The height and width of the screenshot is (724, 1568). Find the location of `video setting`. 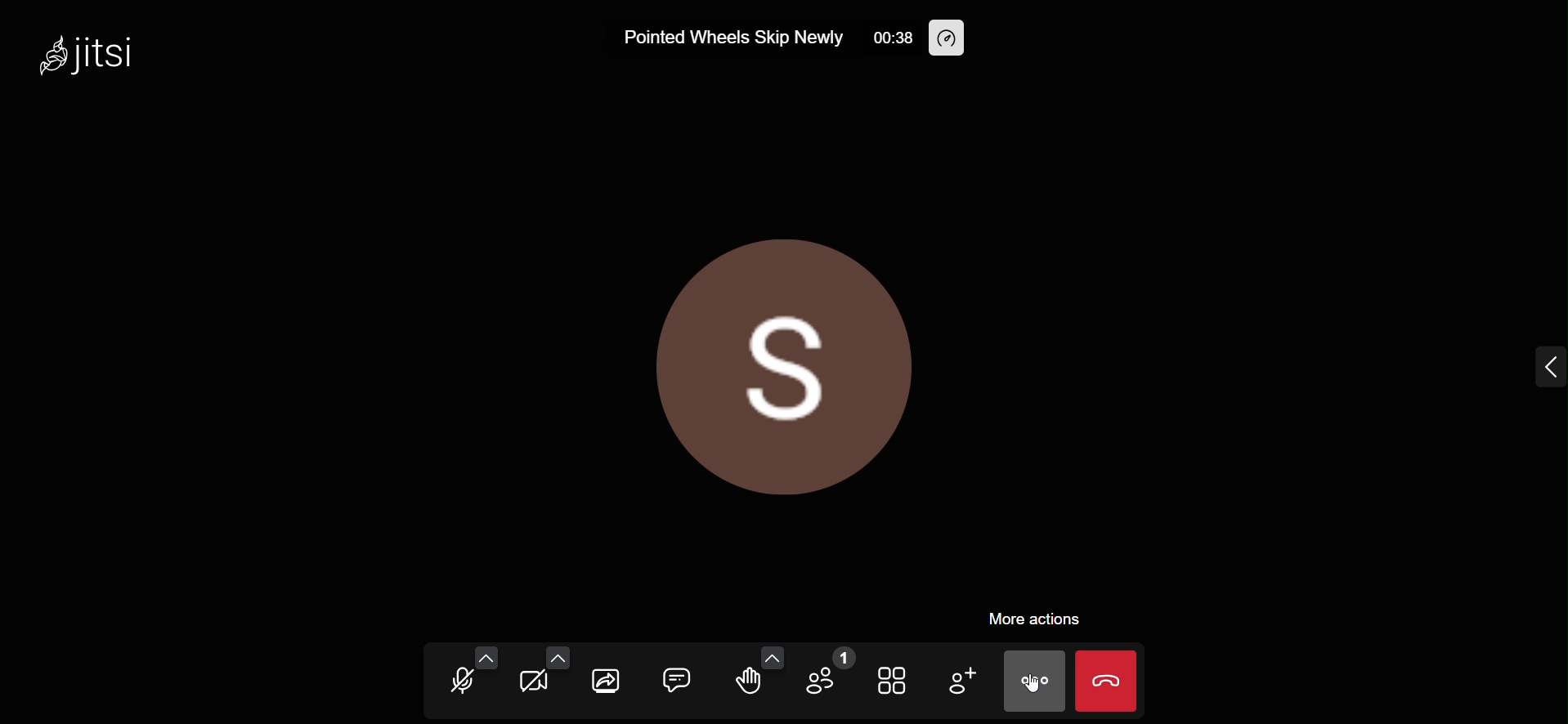

video setting is located at coordinates (560, 656).